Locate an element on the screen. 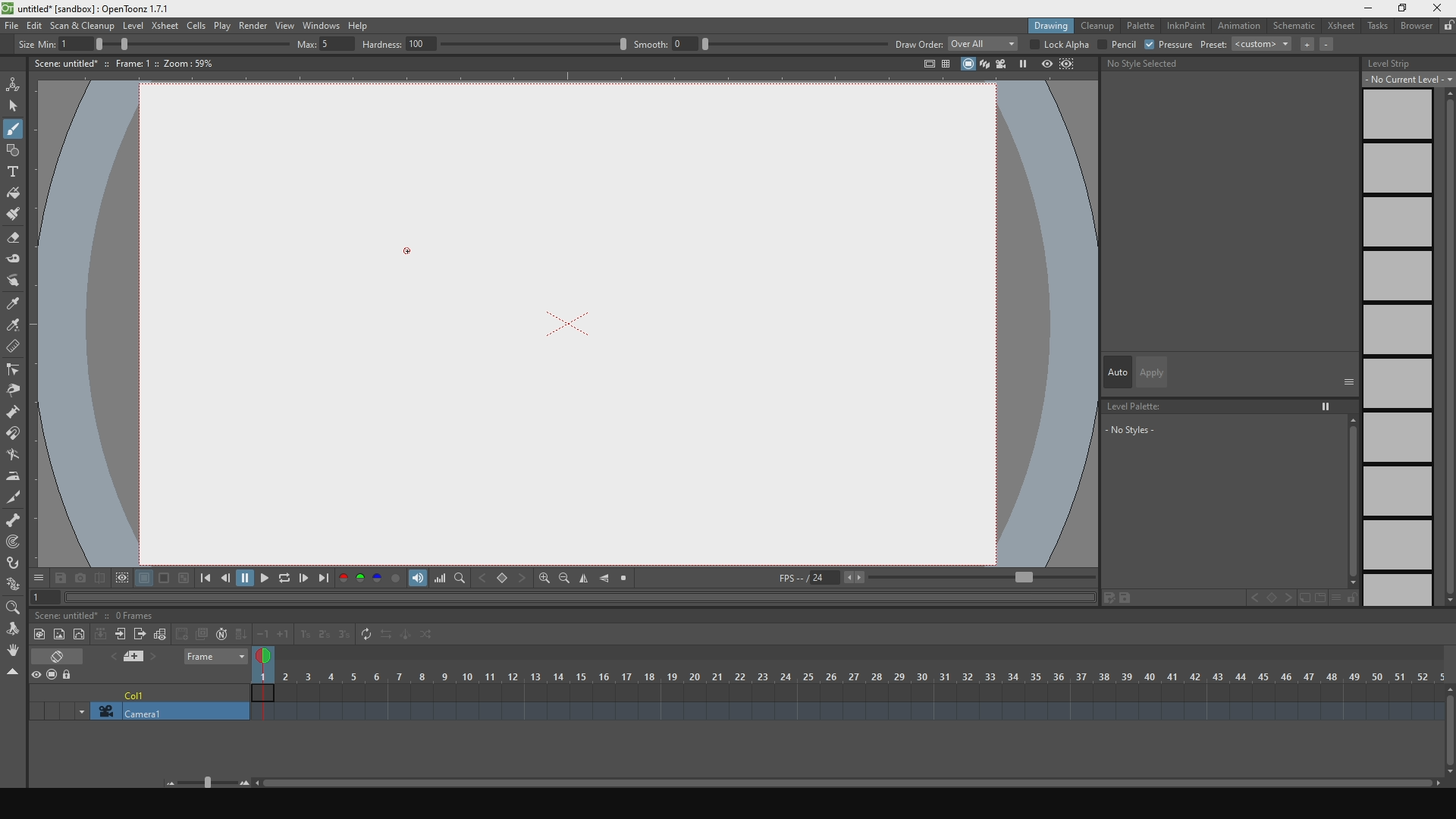 This screenshot has width=1456, height=819. max is located at coordinates (323, 43).